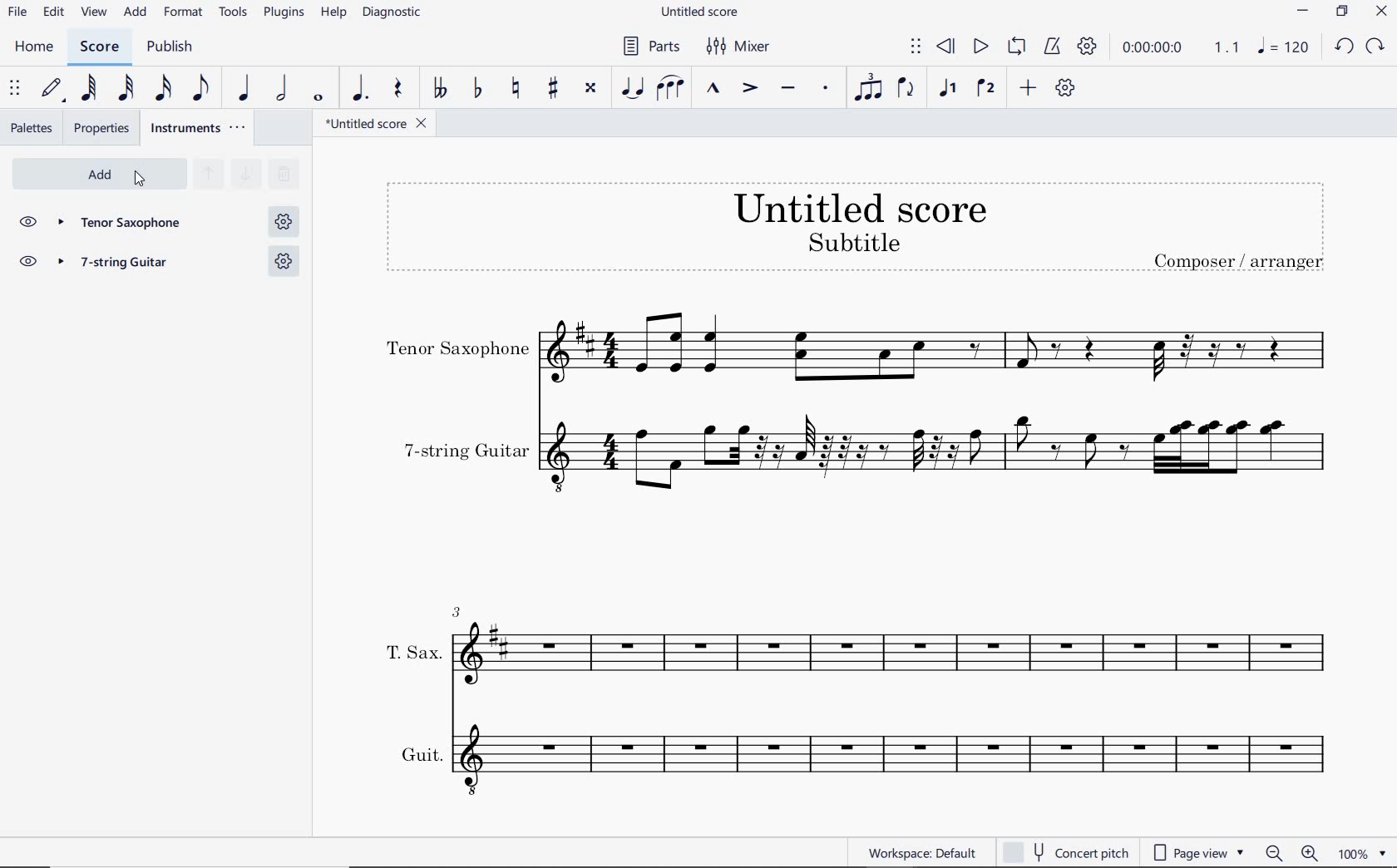 The width and height of the screenshot is (1397, 868). What do you see at coordinates (671, 89) in the screenshot?
I see `SLUR` at bounding box center [671, 89].